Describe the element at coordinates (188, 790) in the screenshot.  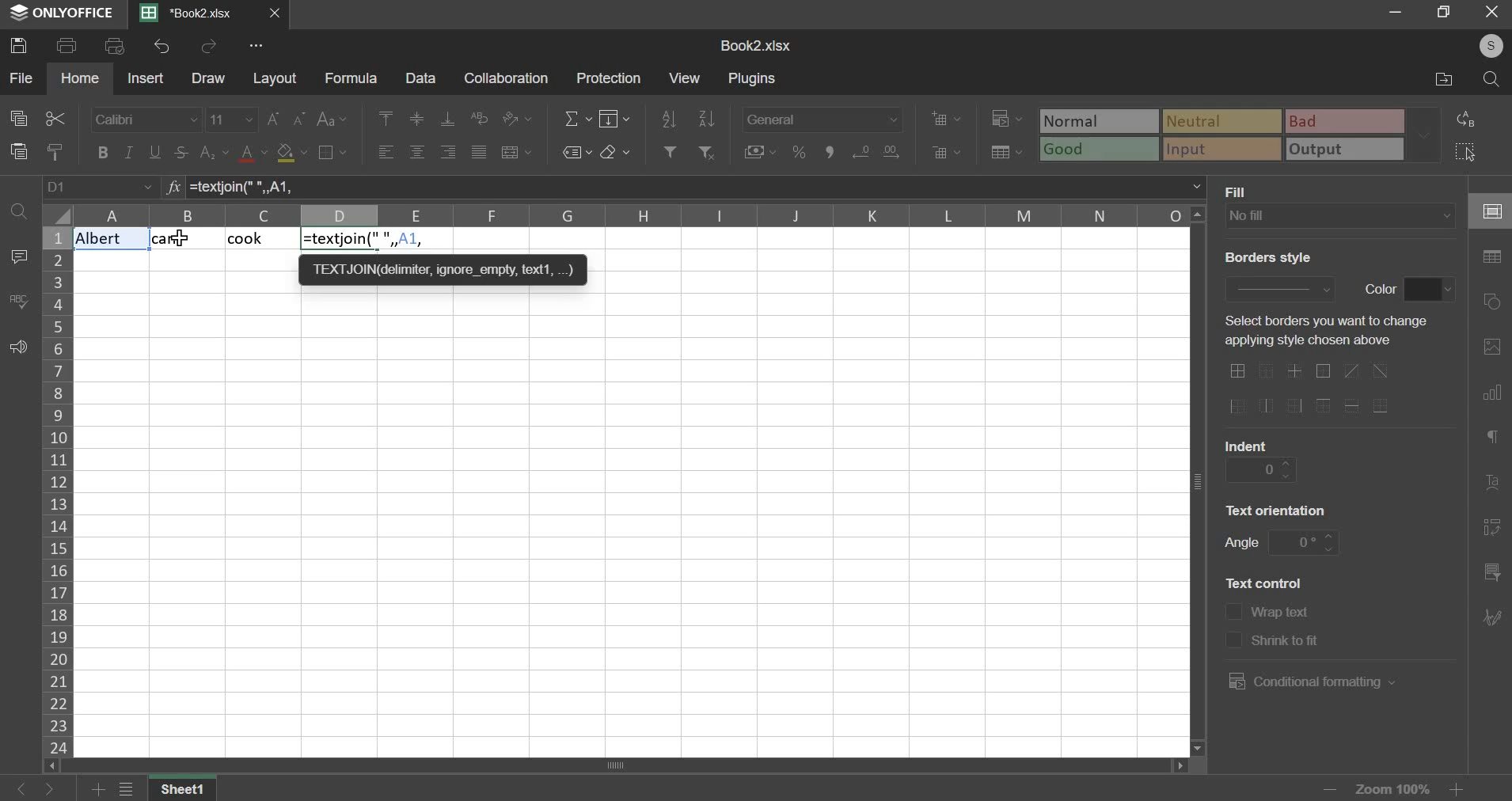
I see `sheet name` at that location.